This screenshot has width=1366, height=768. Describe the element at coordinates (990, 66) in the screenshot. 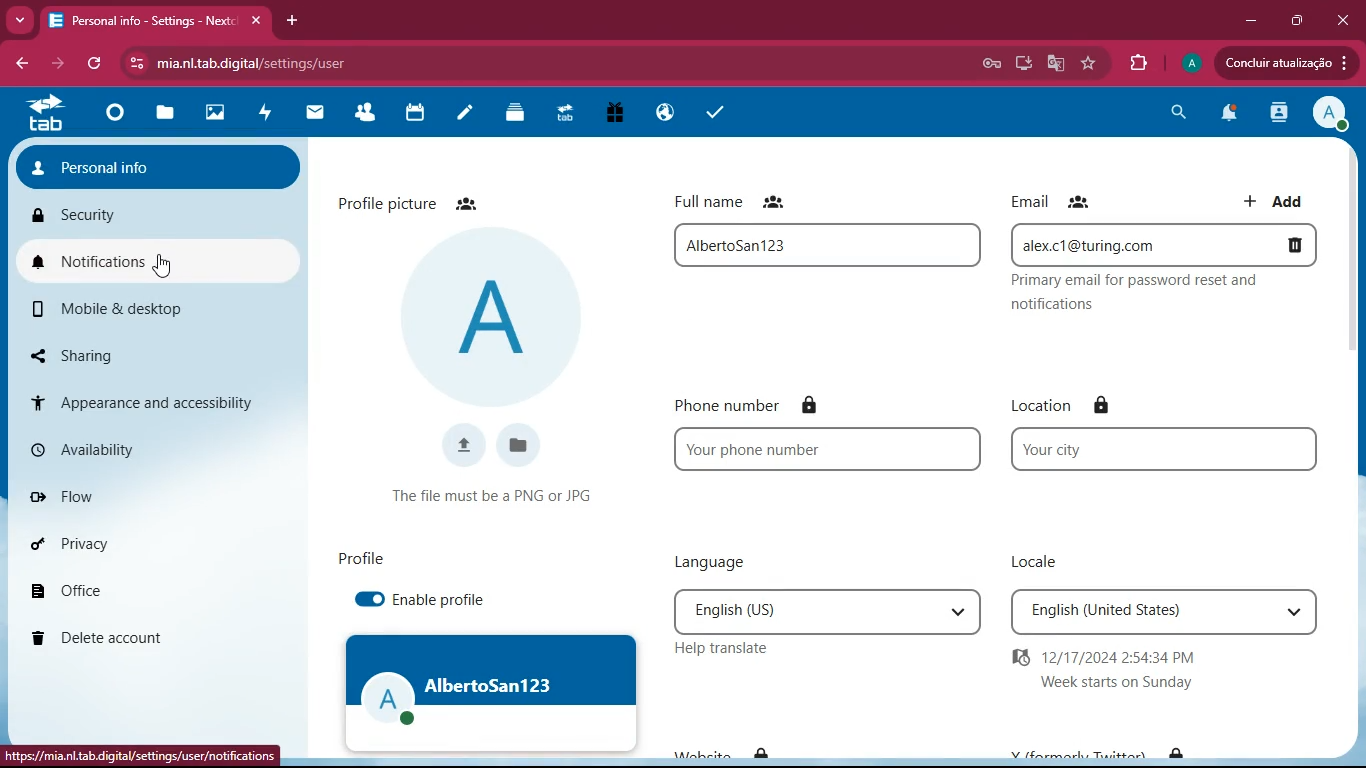

I see `Password manager` at that location.